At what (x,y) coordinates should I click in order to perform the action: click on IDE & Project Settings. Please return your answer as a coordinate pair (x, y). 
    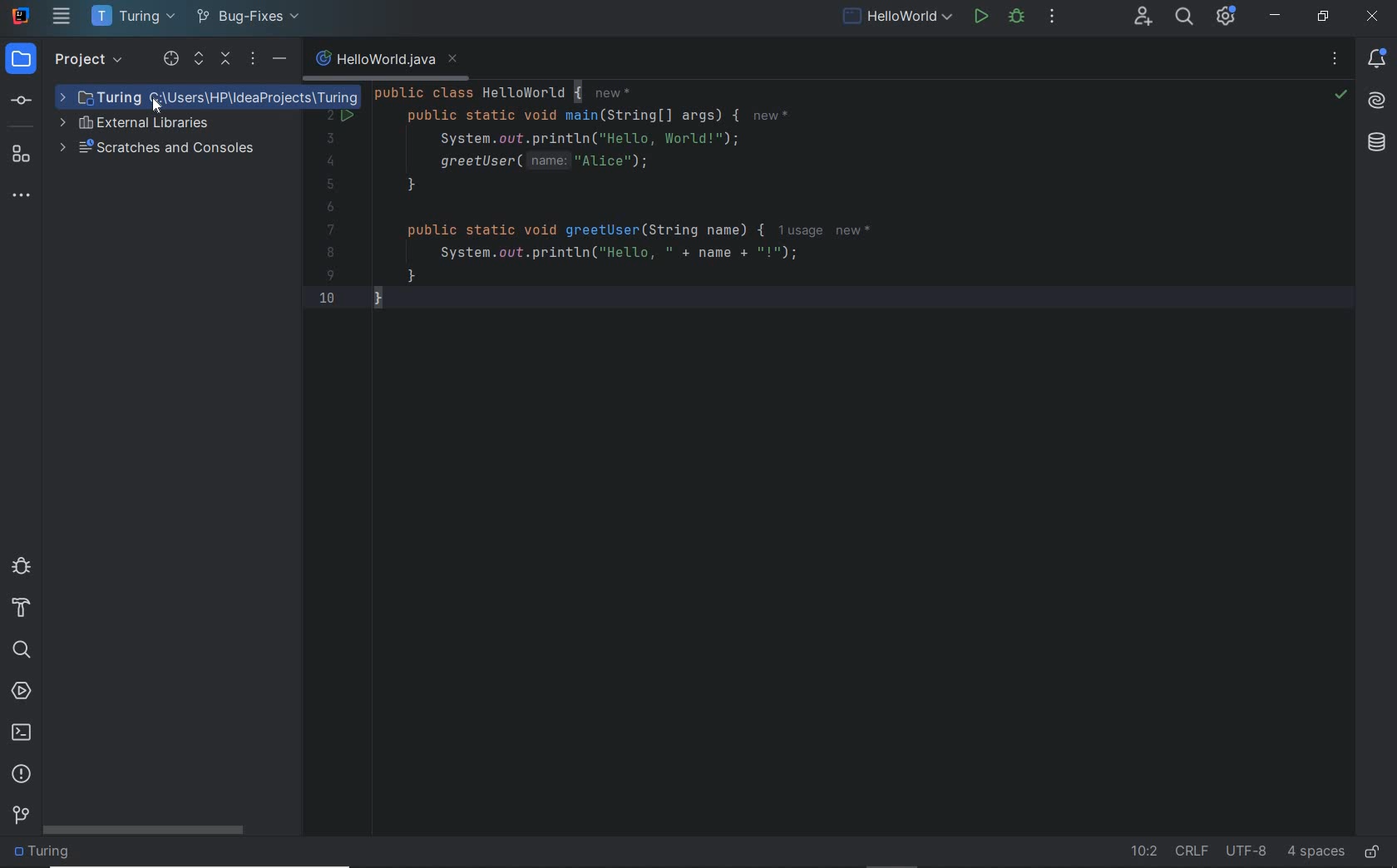
    Looking at the image, I should click on (1227, 17).